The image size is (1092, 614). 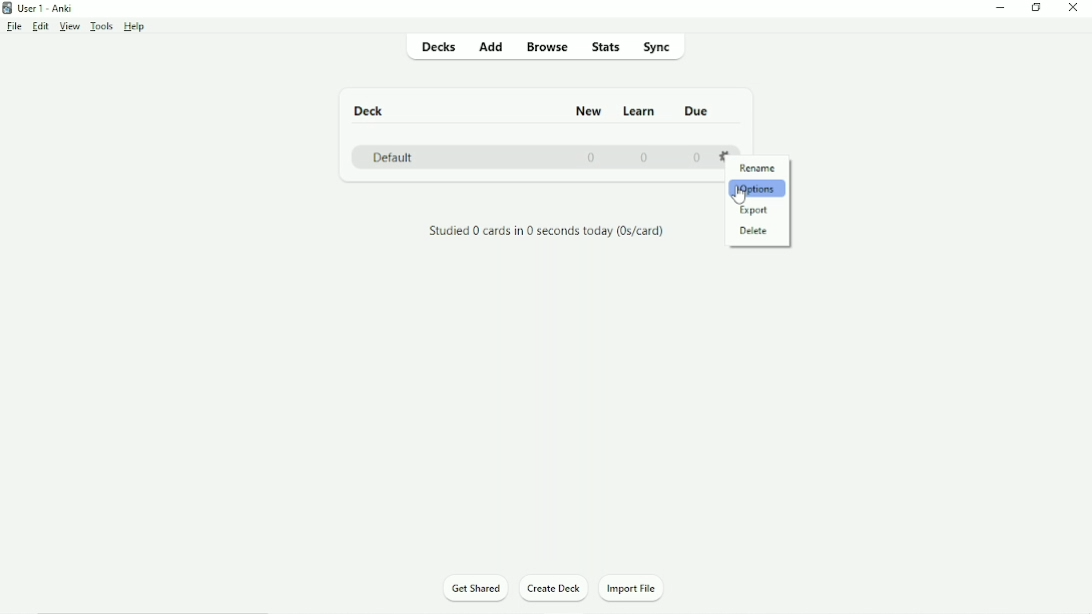 What do you see at coordinates (742, 198) in the screenshot?
I see `Cursor` at bounding box center [742, 198].